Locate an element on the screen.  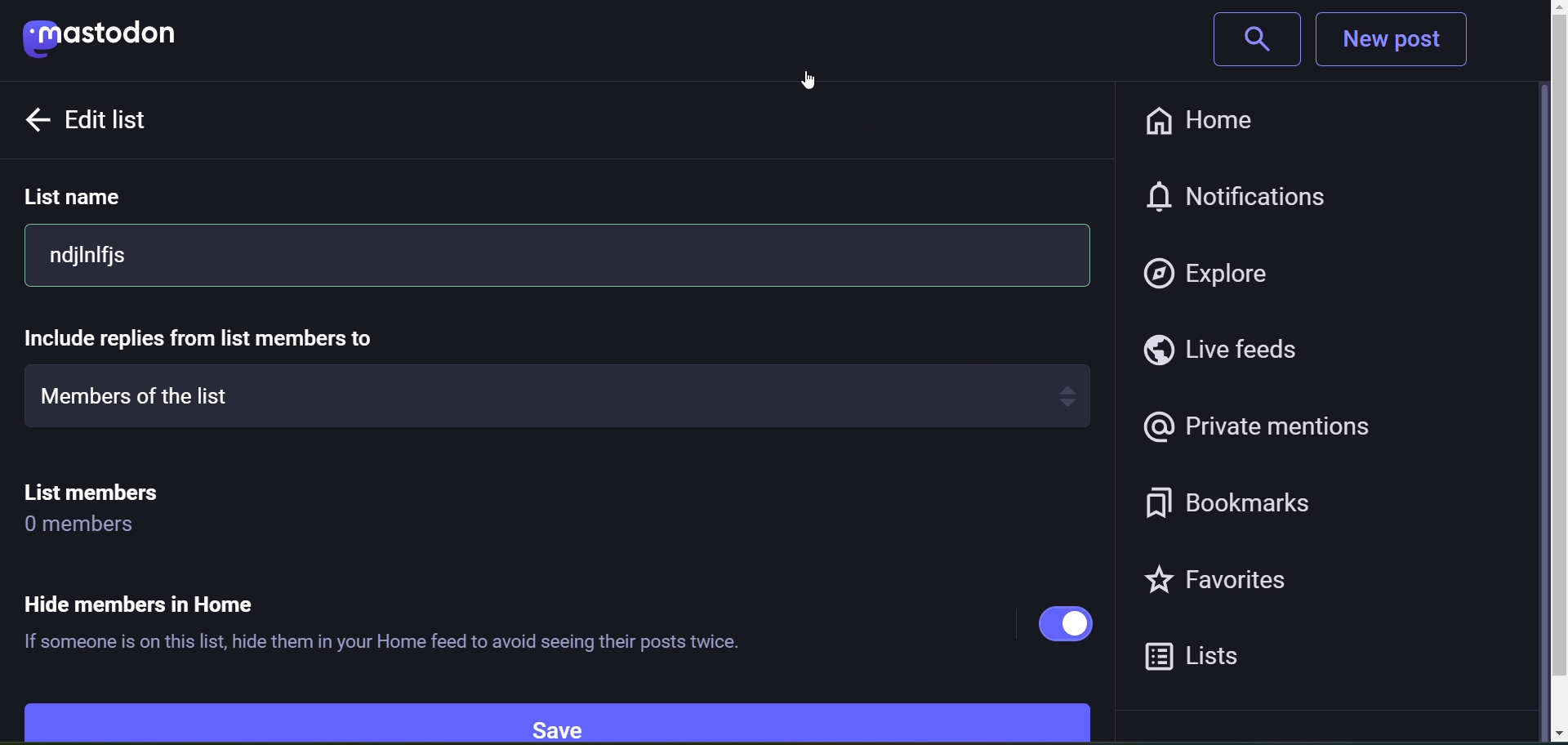
ndjinlfjs is located at coordinates (555, 256).